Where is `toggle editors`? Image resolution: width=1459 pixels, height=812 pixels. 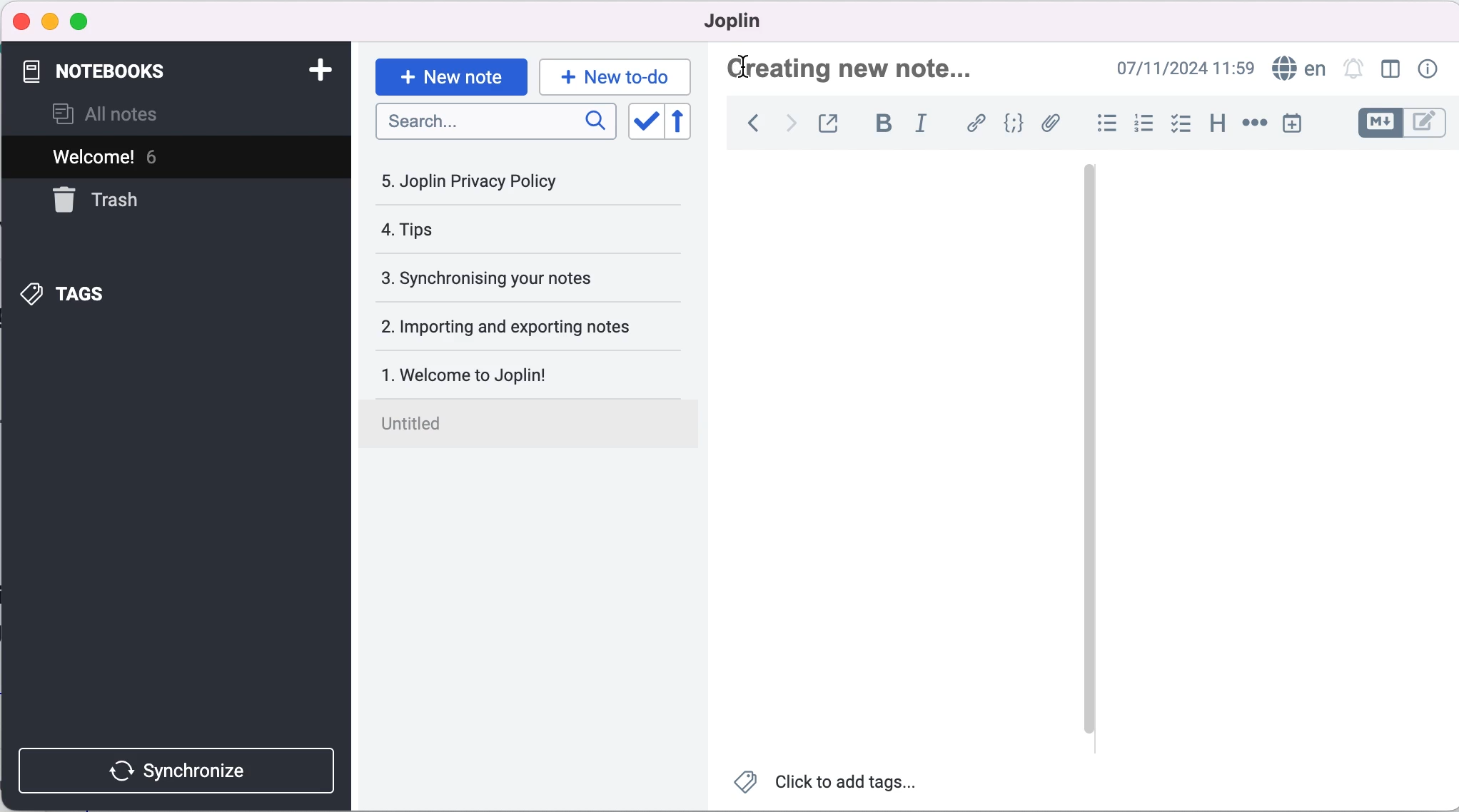
toggle editors is located at coordinates (1400, 123).